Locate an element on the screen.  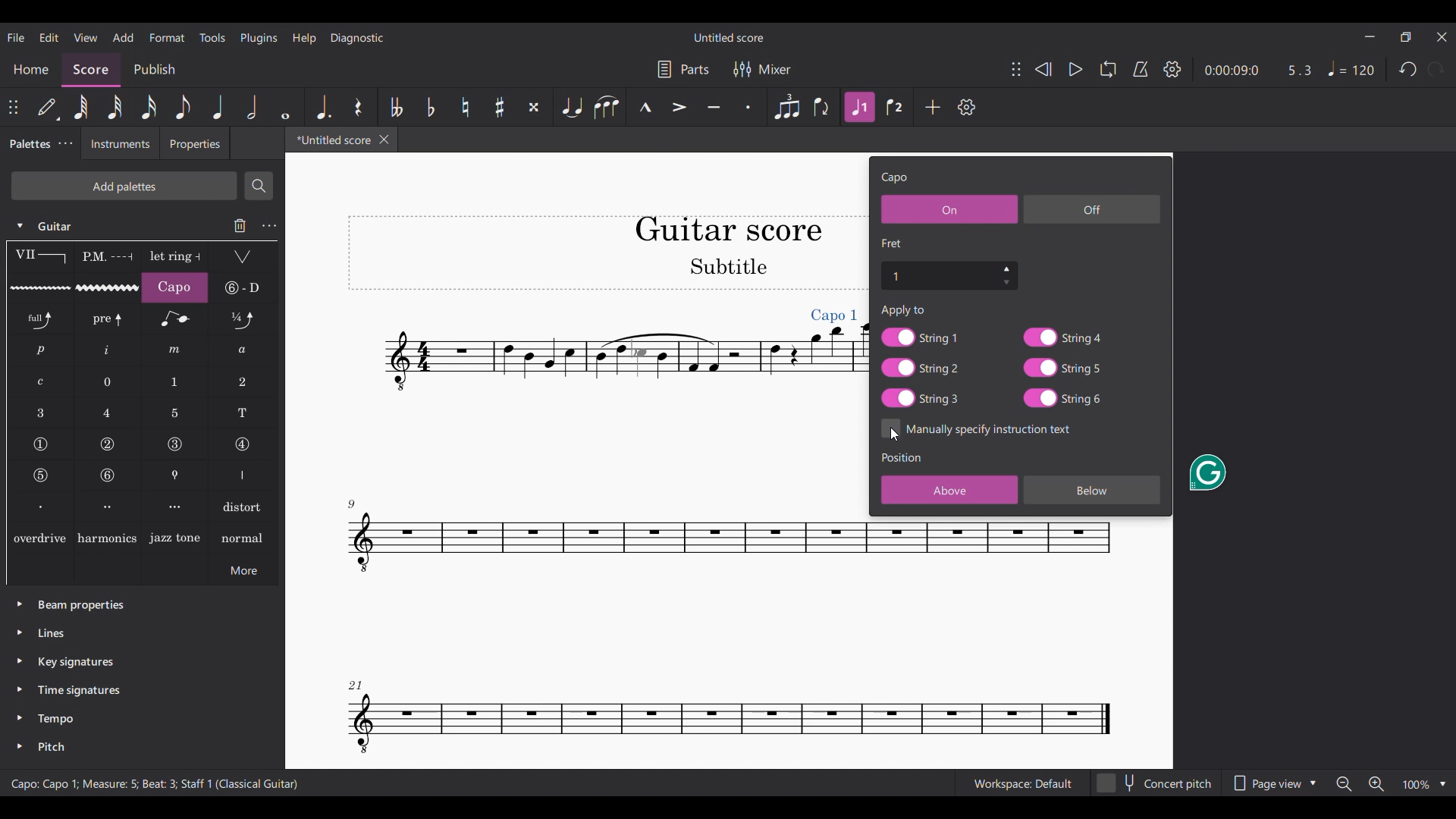
Click to expand key signatures palette is located at coordinates (20, 661).